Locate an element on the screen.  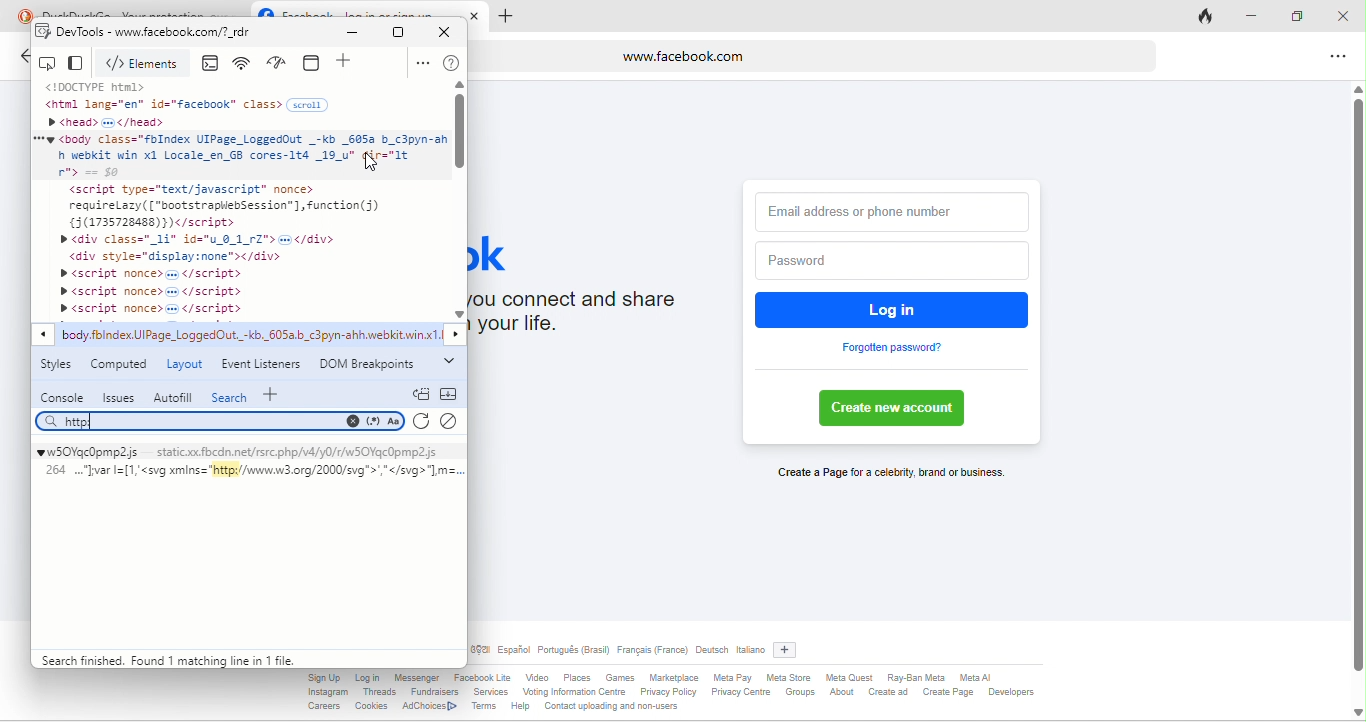
maximize is located at coordinates (1305, 18).